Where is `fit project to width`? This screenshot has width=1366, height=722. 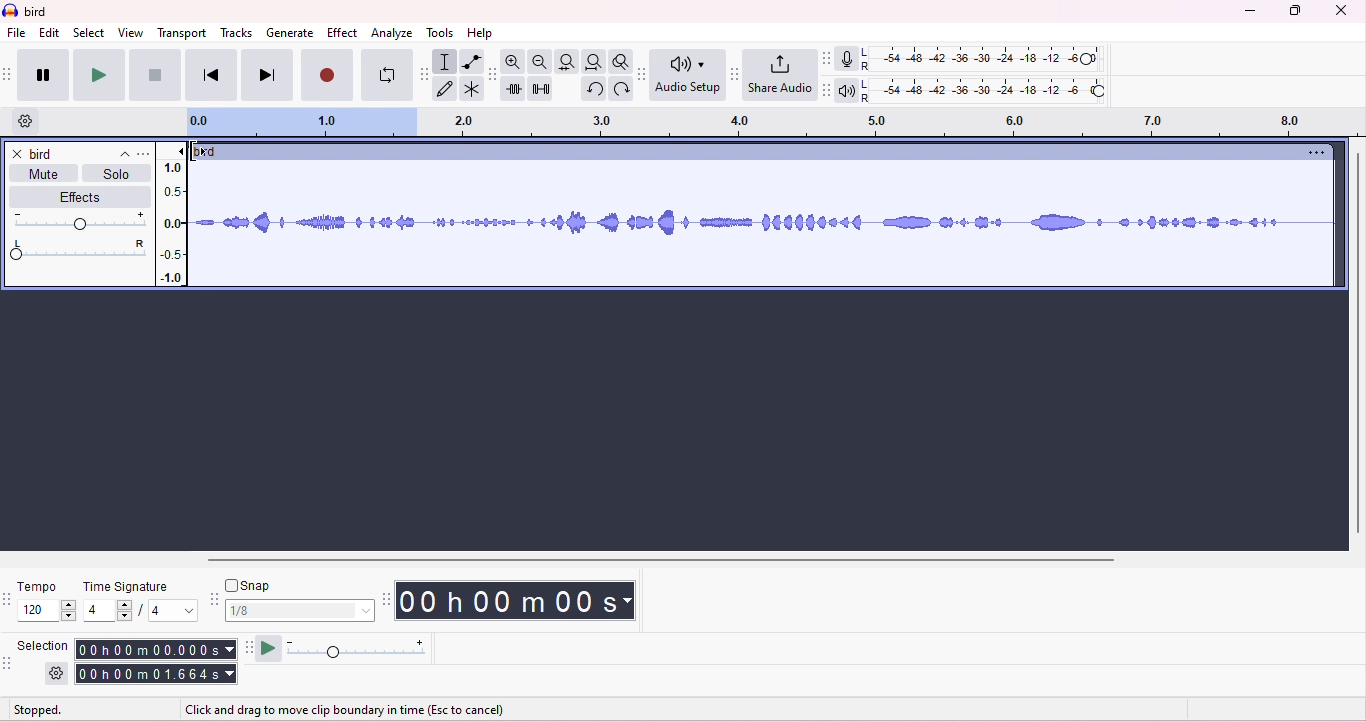
fit project to width is located at coordinates (593, 63).